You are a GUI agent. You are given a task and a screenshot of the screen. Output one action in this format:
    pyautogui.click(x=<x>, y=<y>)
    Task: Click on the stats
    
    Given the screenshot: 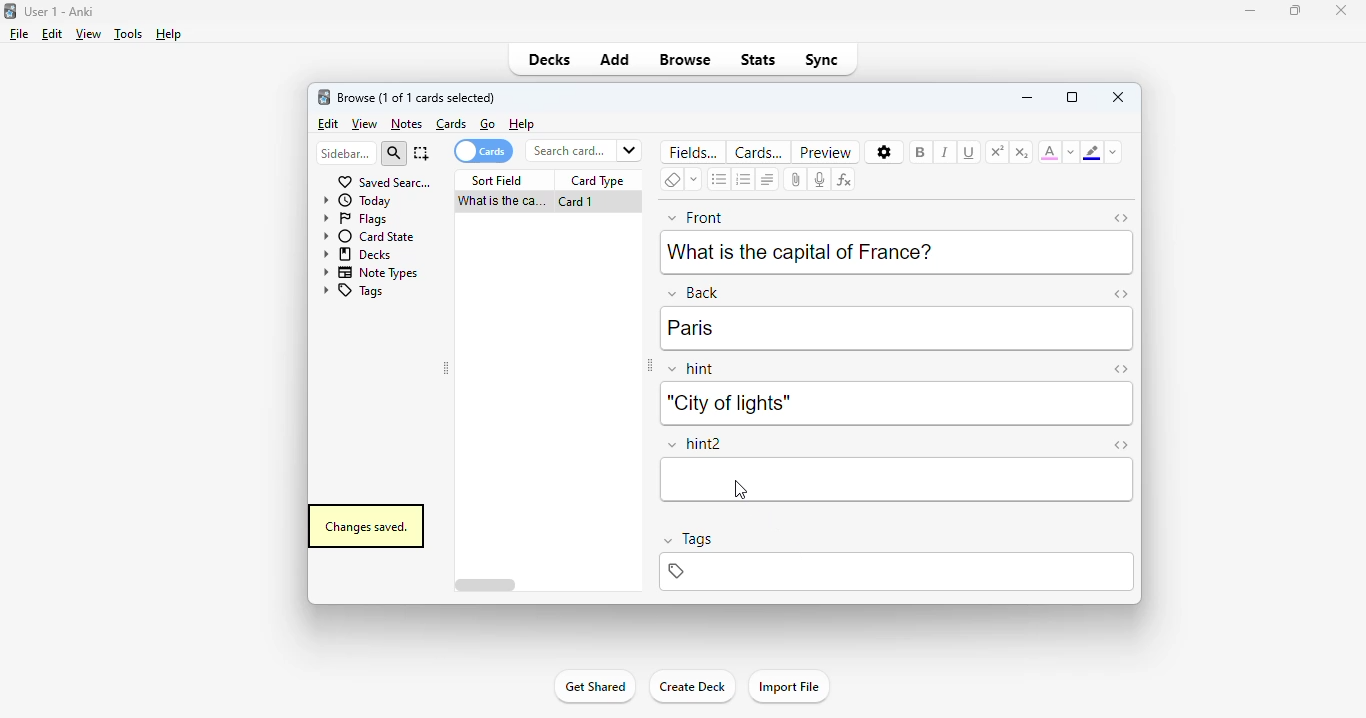 What is the action you would take?
    pyautogui.click(x=759, y=59)
    